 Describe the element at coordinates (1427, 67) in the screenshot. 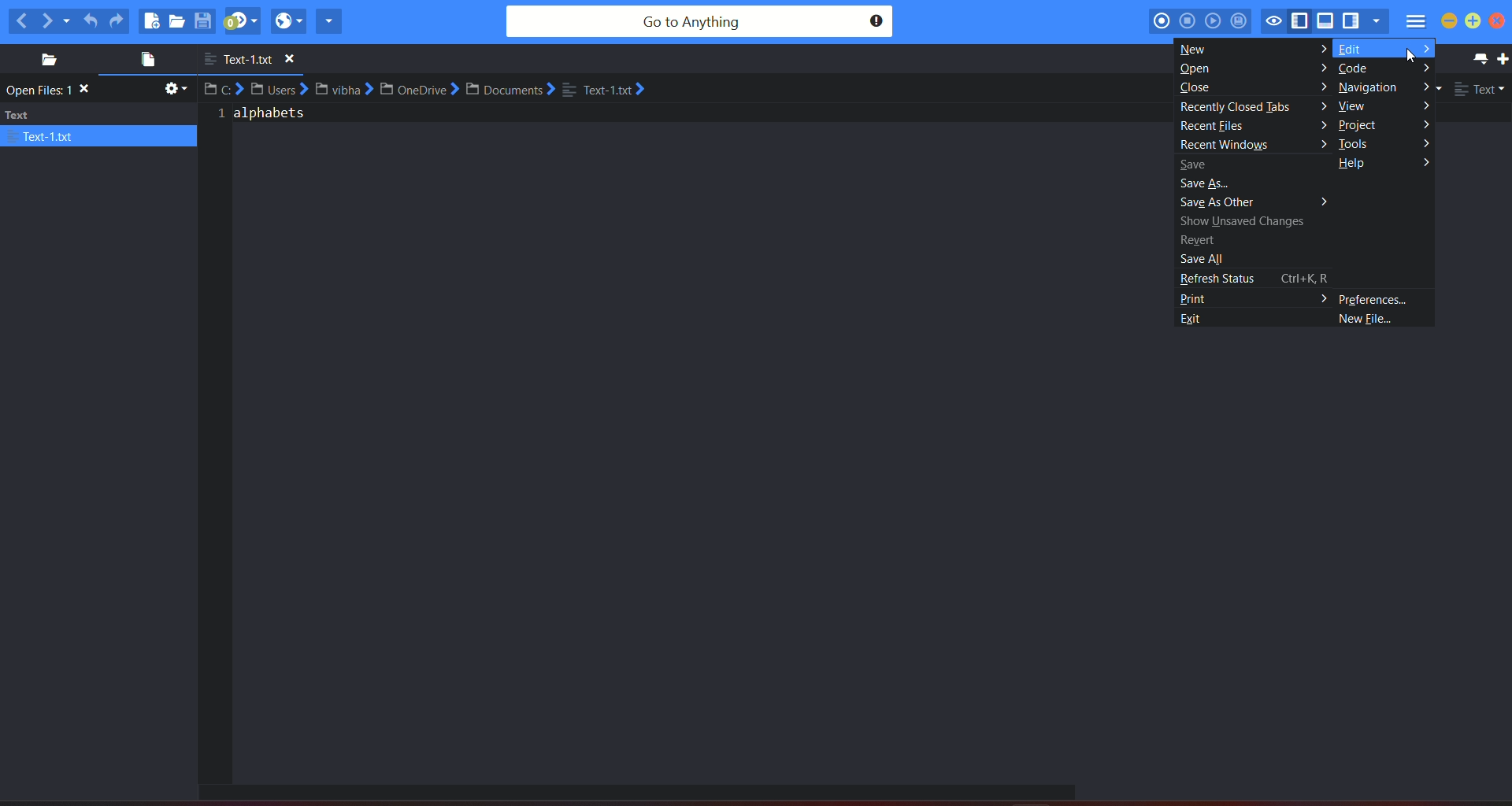

I see `More` at that location.